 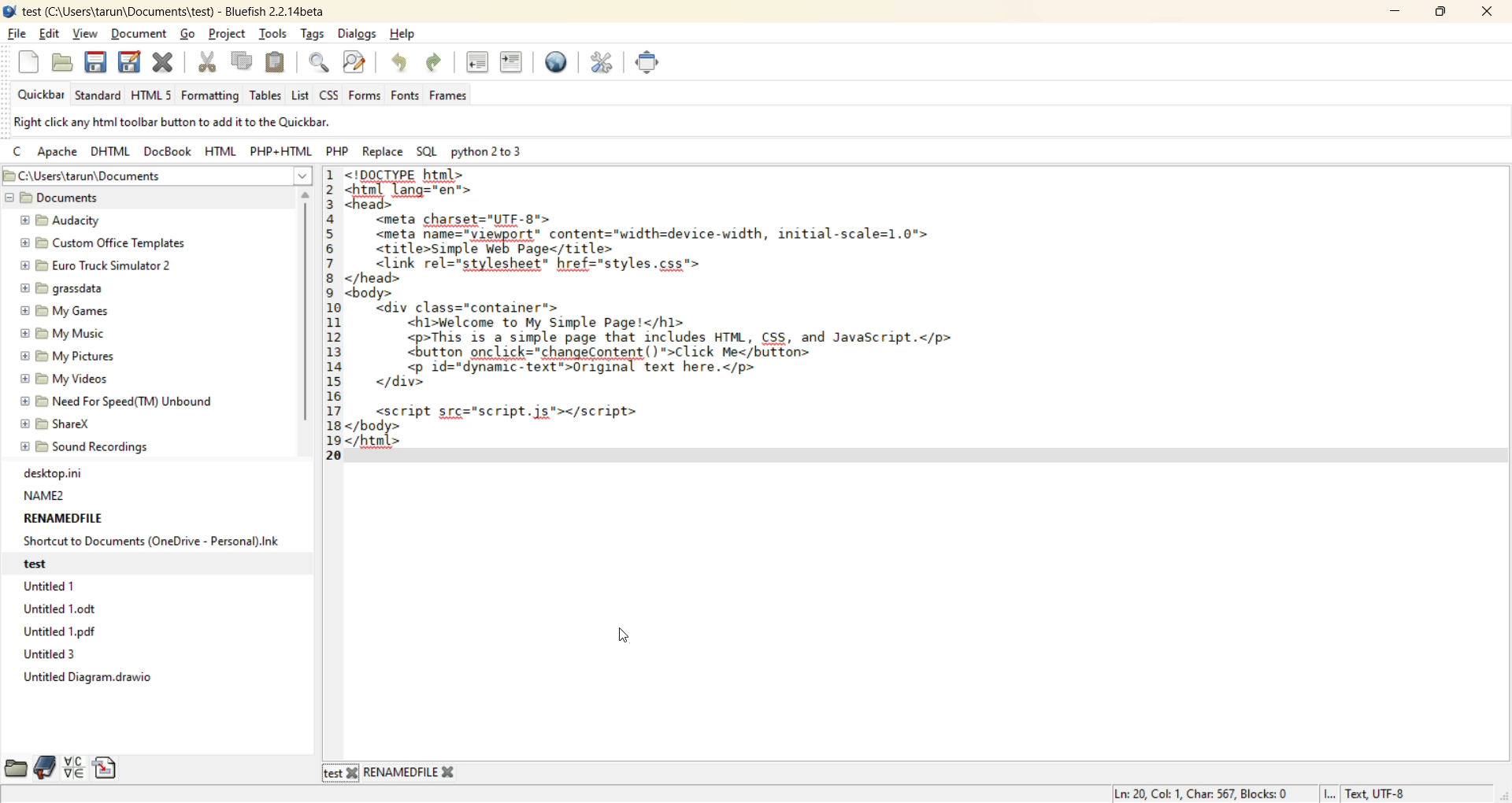 I want to click on fonts, so click(x=407, y=96).